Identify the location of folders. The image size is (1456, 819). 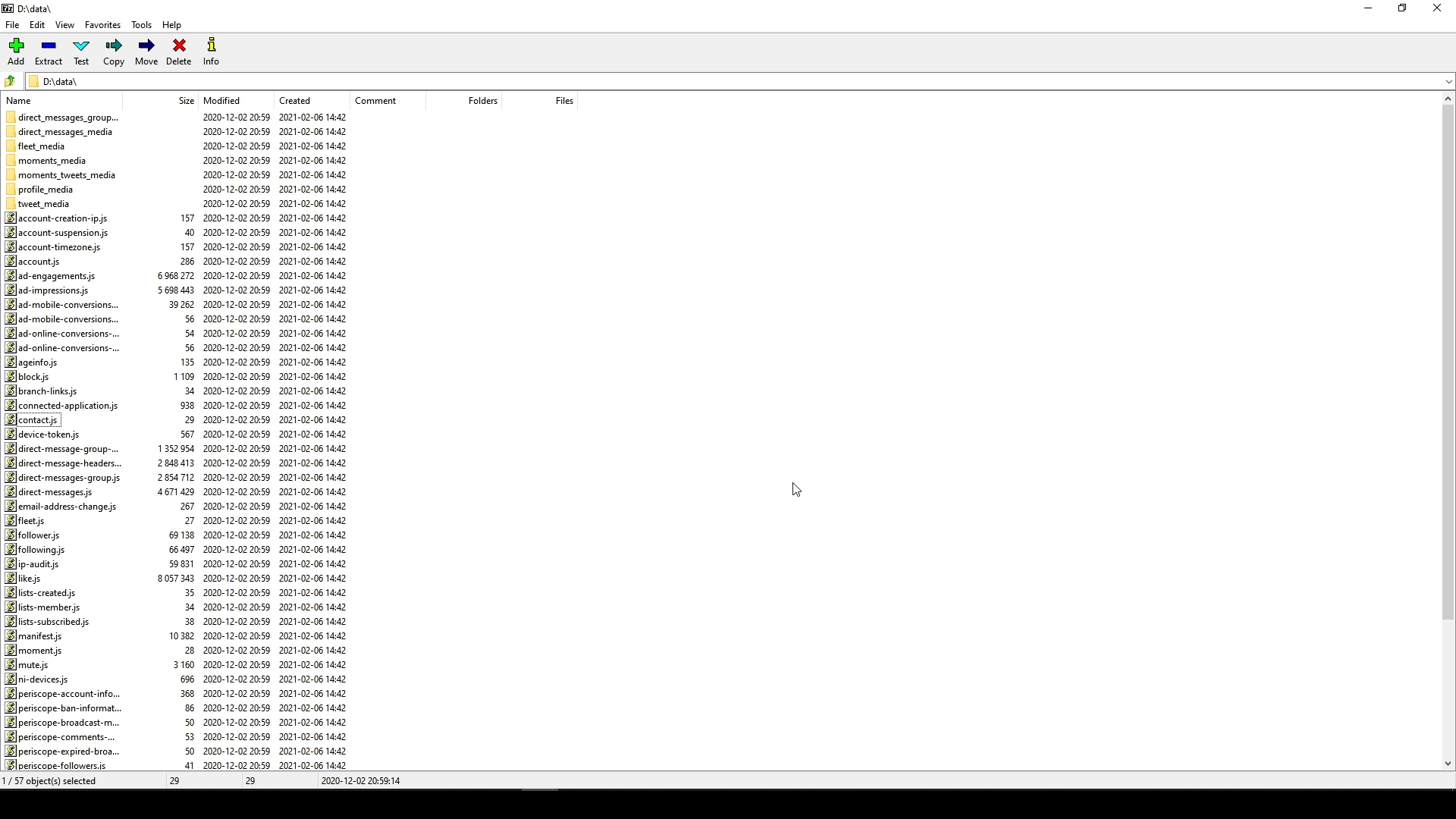
(472, 102).